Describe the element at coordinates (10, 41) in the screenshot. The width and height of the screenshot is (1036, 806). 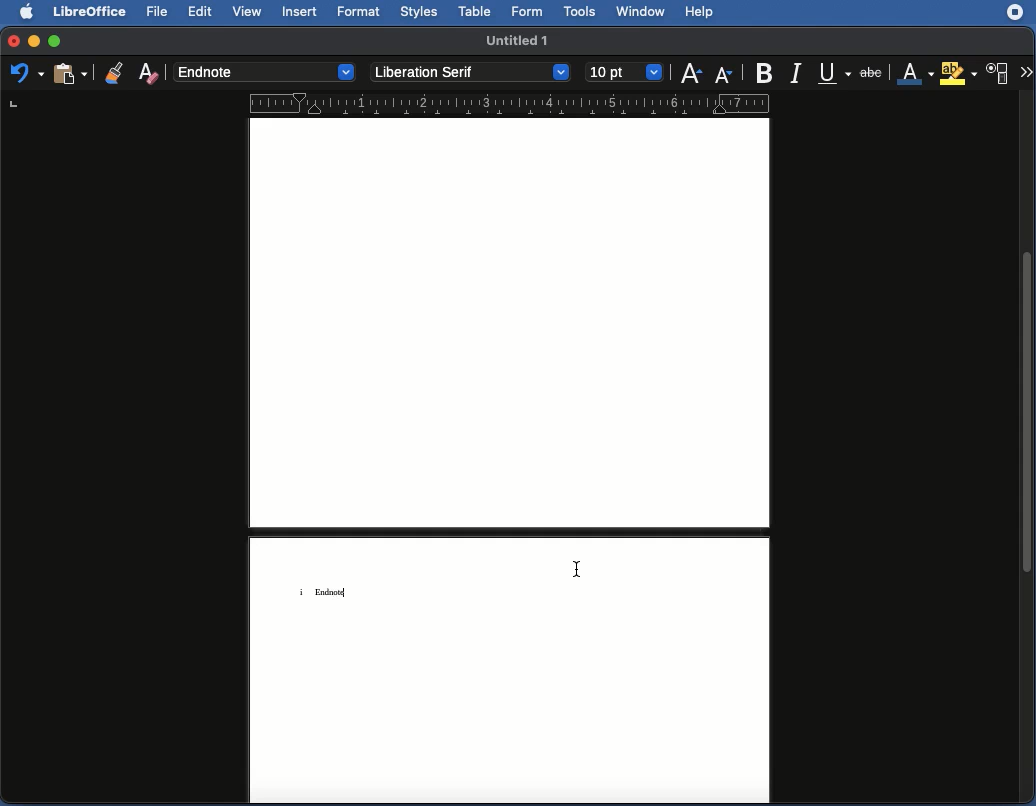
I see `Close` at that location.